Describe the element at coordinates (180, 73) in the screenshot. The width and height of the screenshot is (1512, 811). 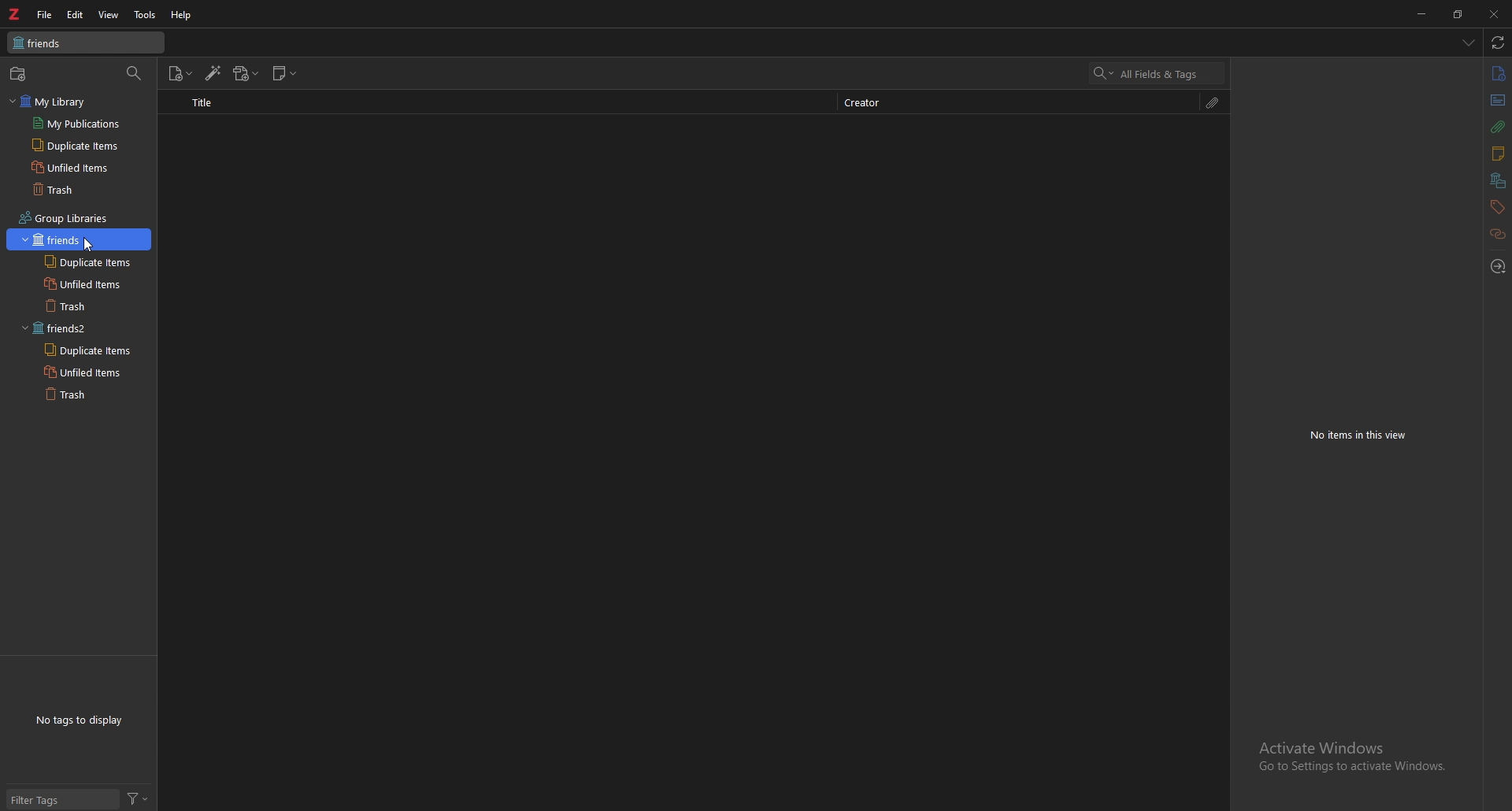
I see `new item` at that location.